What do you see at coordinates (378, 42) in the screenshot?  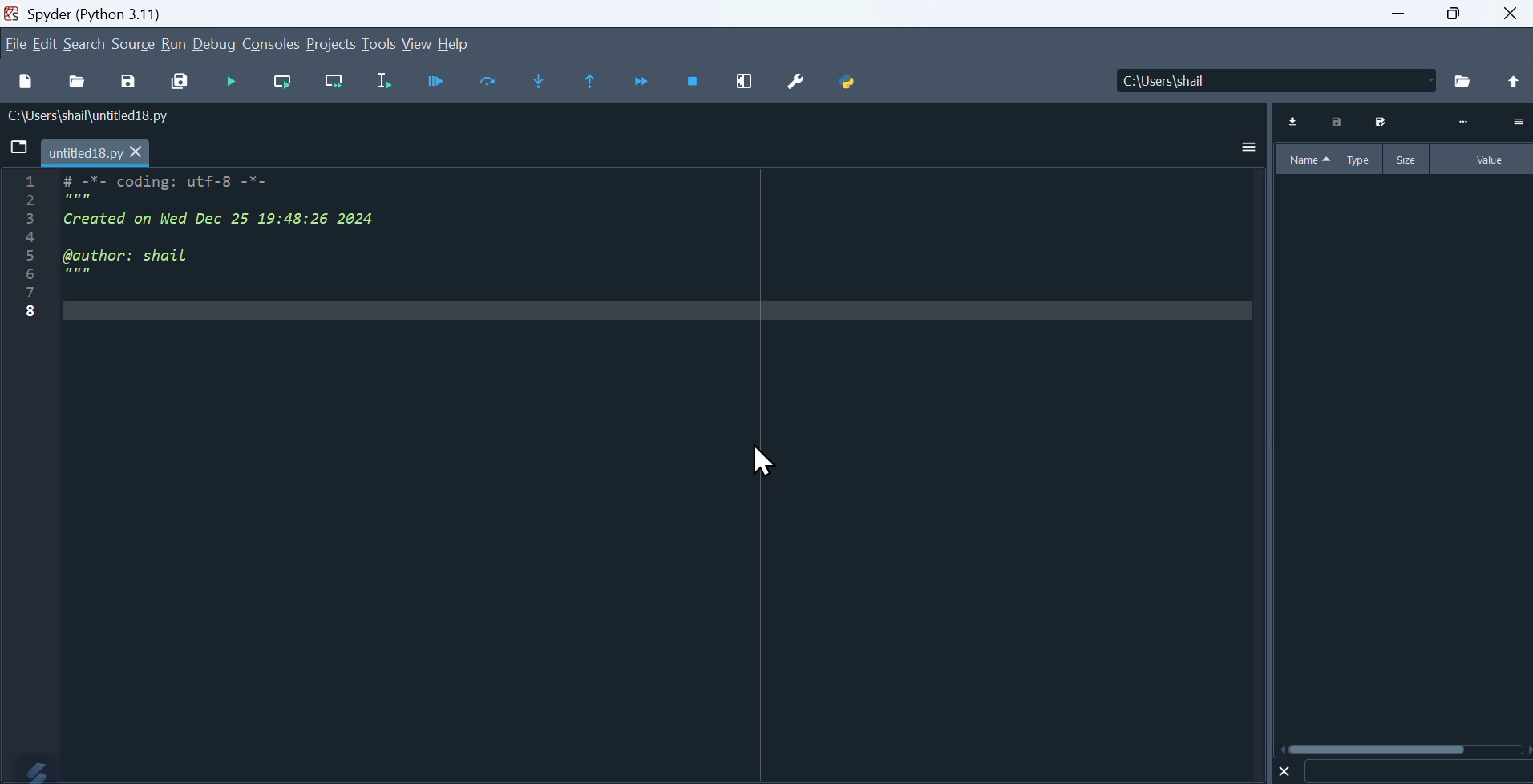 I see `Tools` at bounding box center [378, 42].